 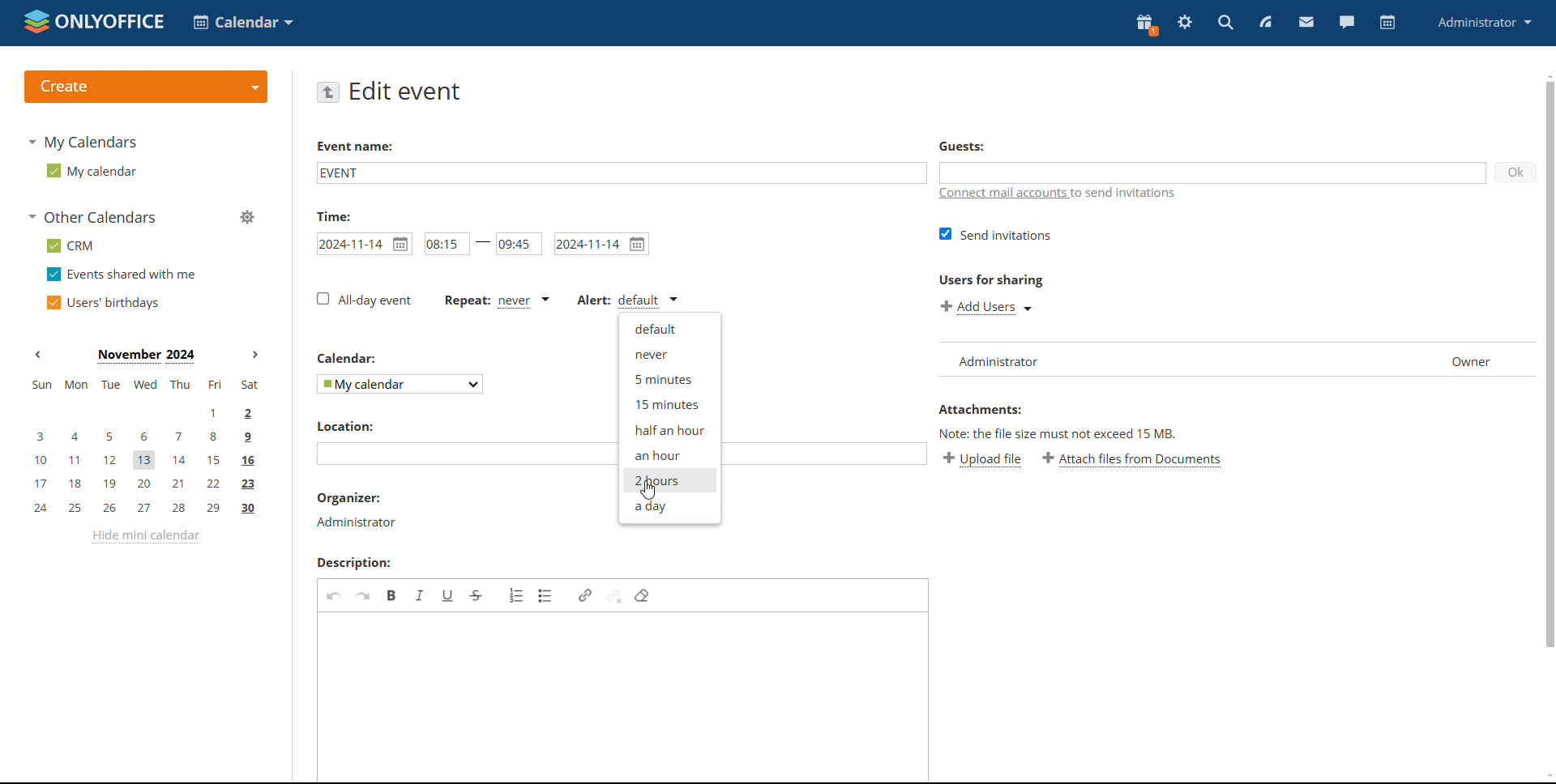 What do you see at coordinates (1228, 23) in the screenshot?
I see `search` at bounding box center [1228, 23].